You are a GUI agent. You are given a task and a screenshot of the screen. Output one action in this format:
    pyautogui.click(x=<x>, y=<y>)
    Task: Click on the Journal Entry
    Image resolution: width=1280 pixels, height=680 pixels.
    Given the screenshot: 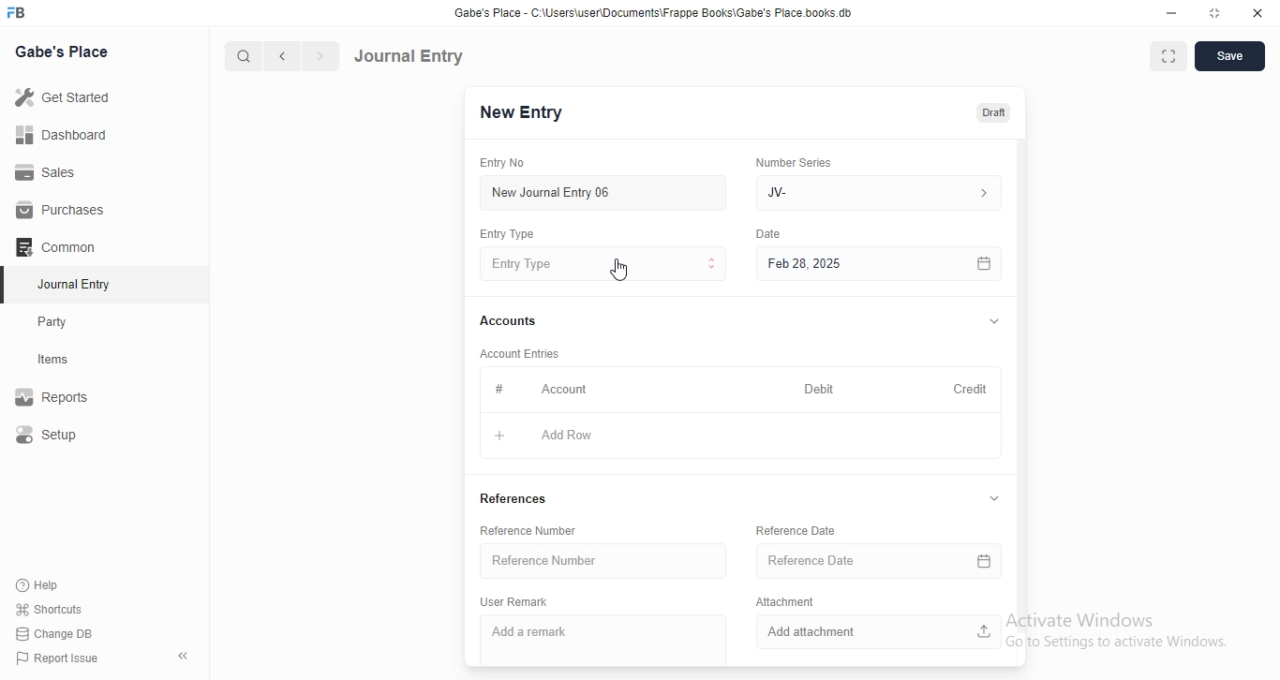 What is the action you would take?
    pyautogui.click(x=65, y=286)
    